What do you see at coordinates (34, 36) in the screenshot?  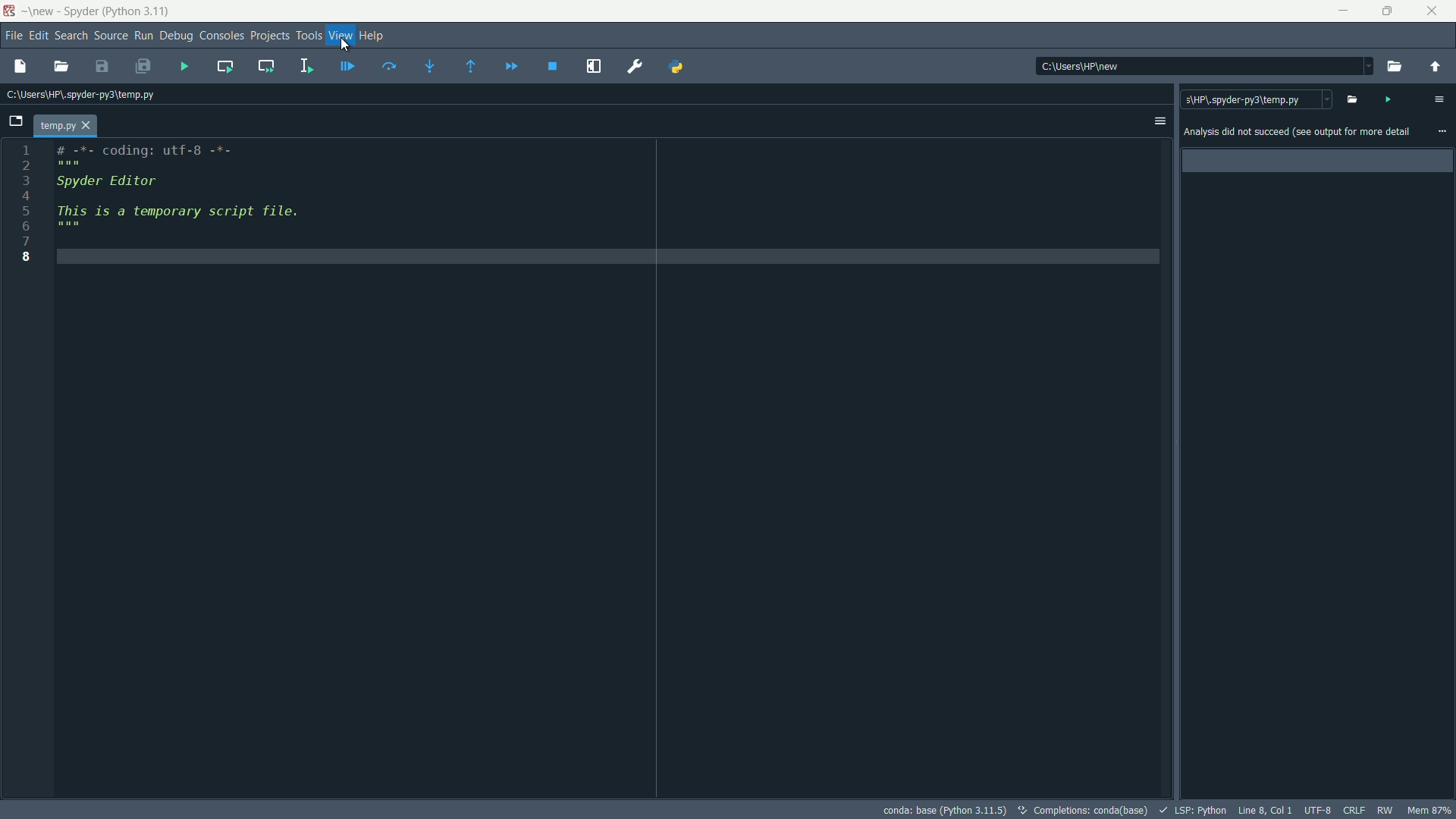 I see `edit menu` at bounding box center [34, 36].